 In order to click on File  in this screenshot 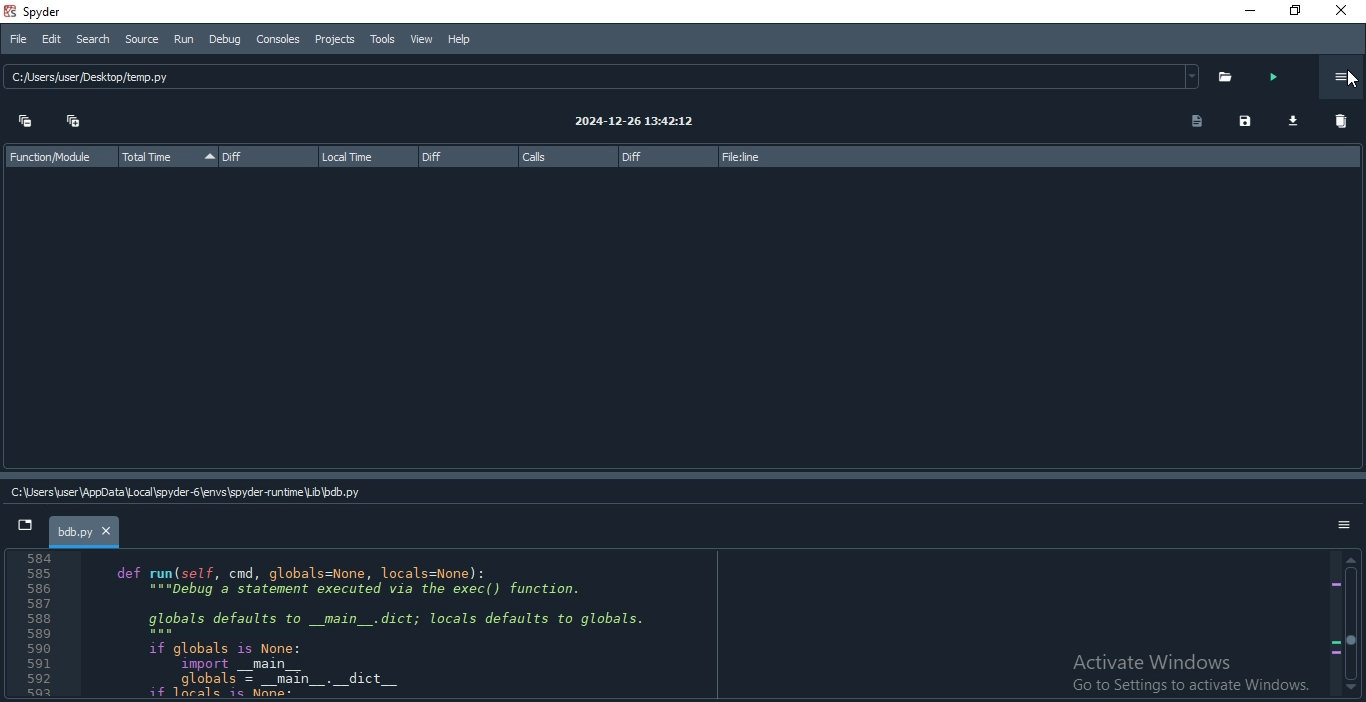, I will do `click(18, 37)`.